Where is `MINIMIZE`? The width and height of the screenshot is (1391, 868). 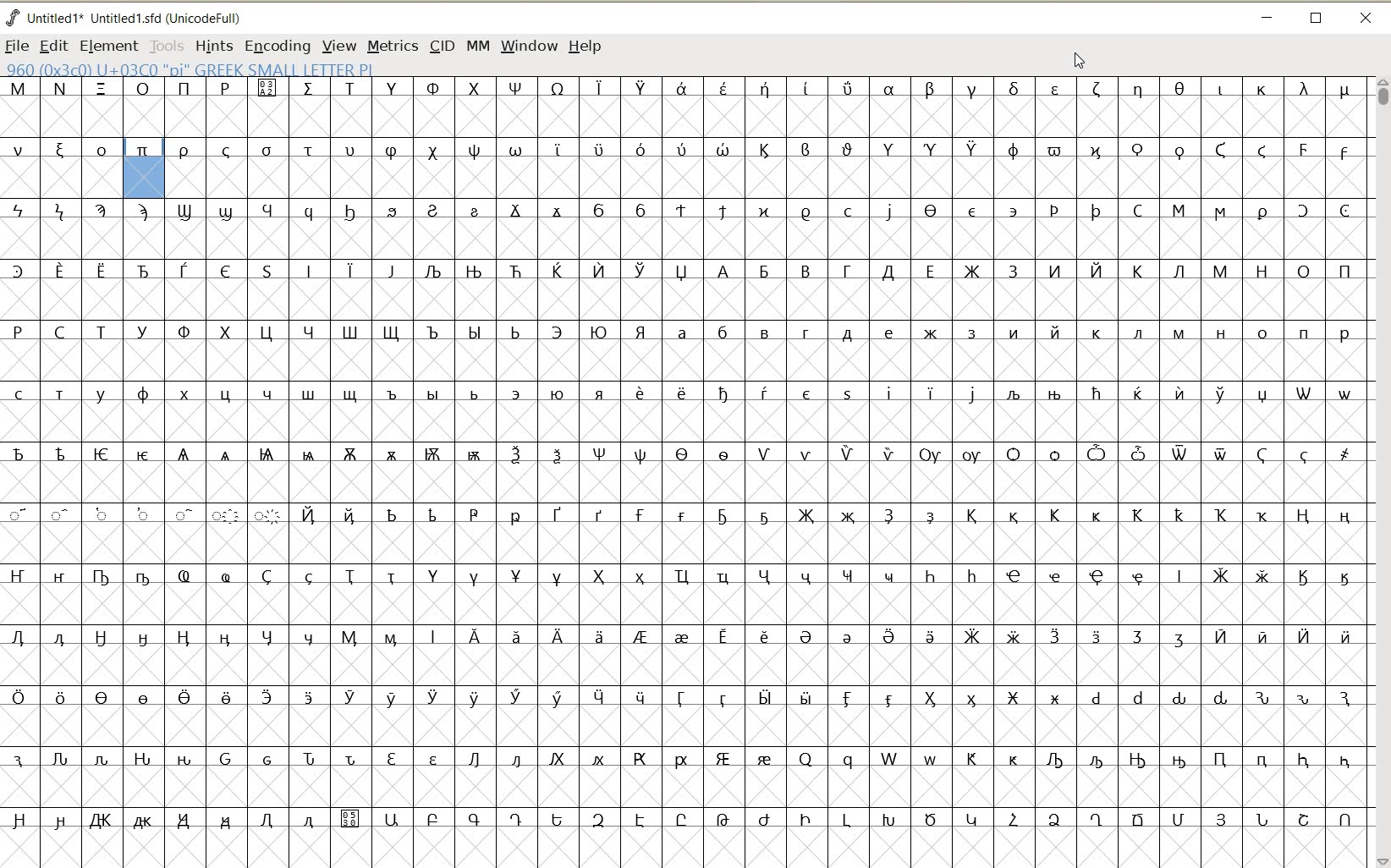 MINIMIZE is located at coordinates (1267, 18).